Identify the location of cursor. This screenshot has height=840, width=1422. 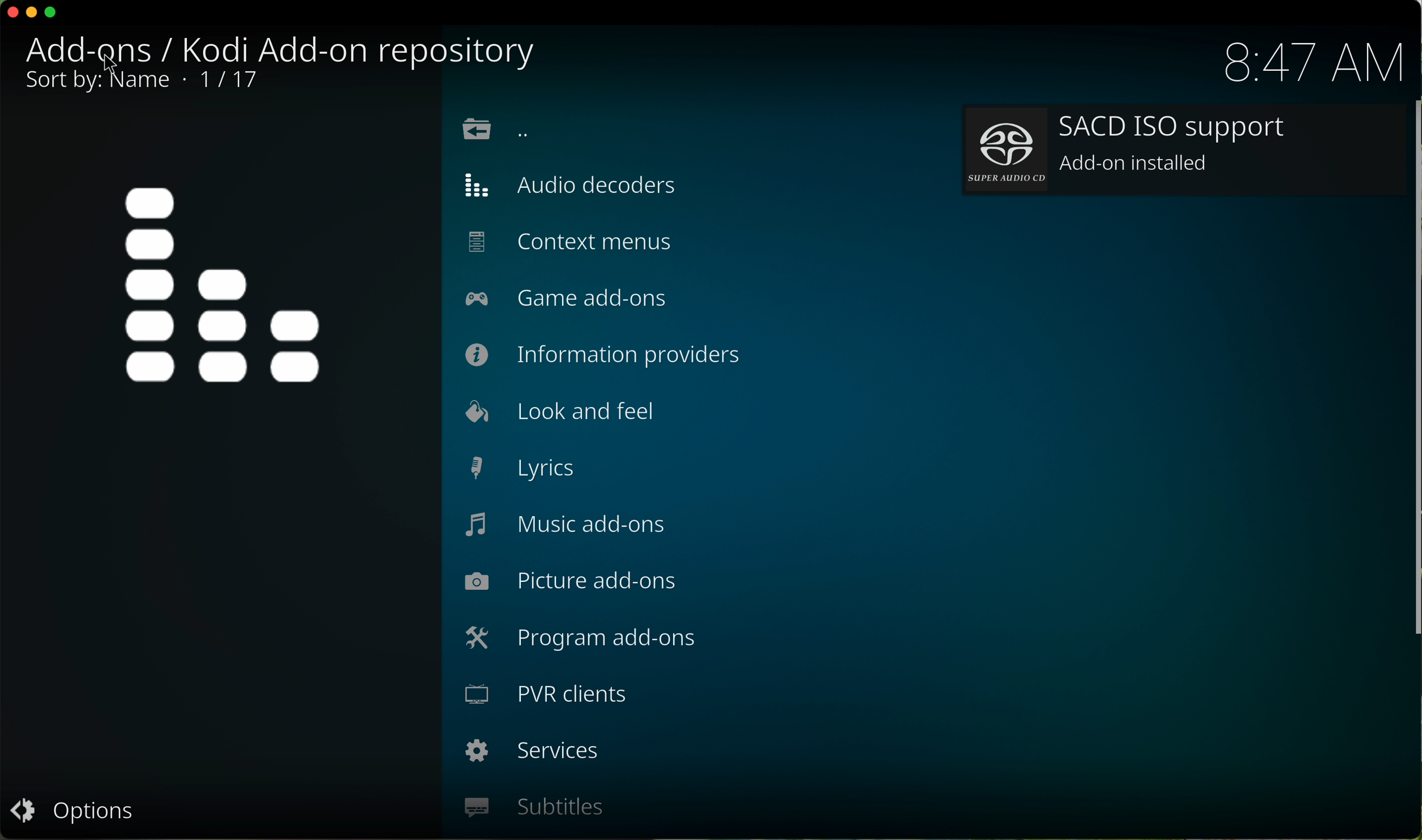
(119, 67).